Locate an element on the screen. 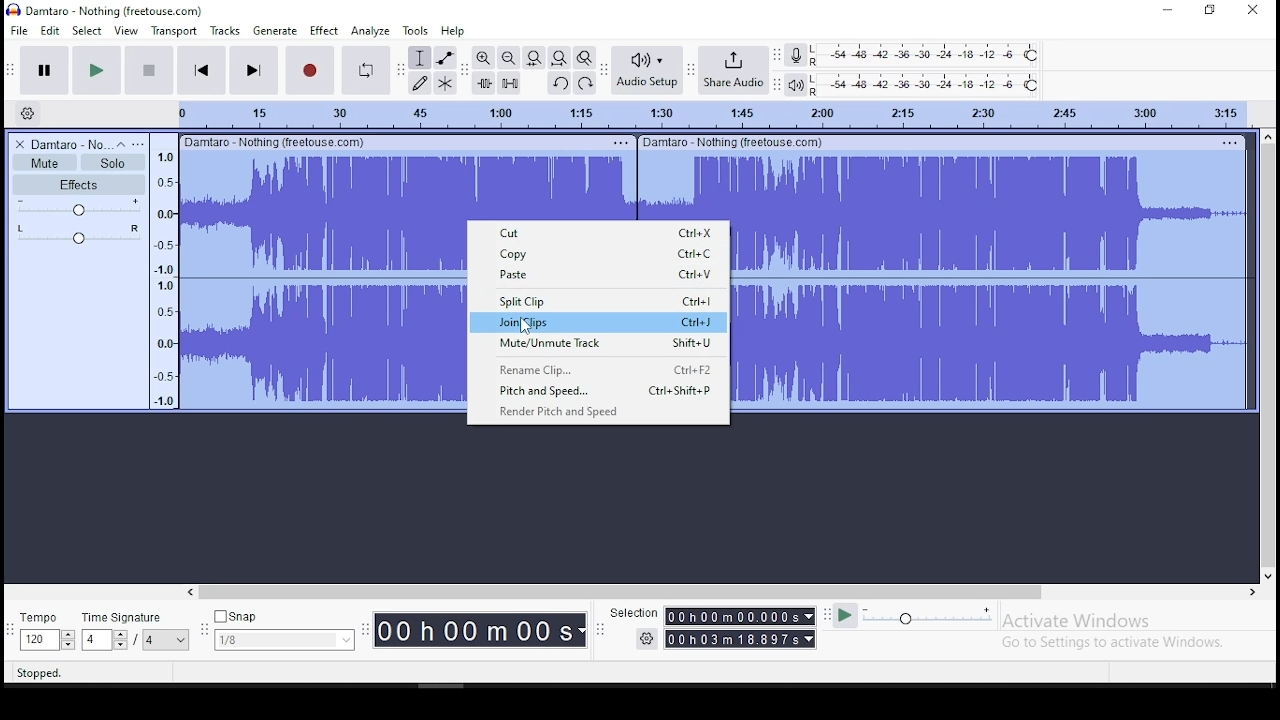 This screenshot has width=1280, height=720. mute is located at coordinates (43, 162).